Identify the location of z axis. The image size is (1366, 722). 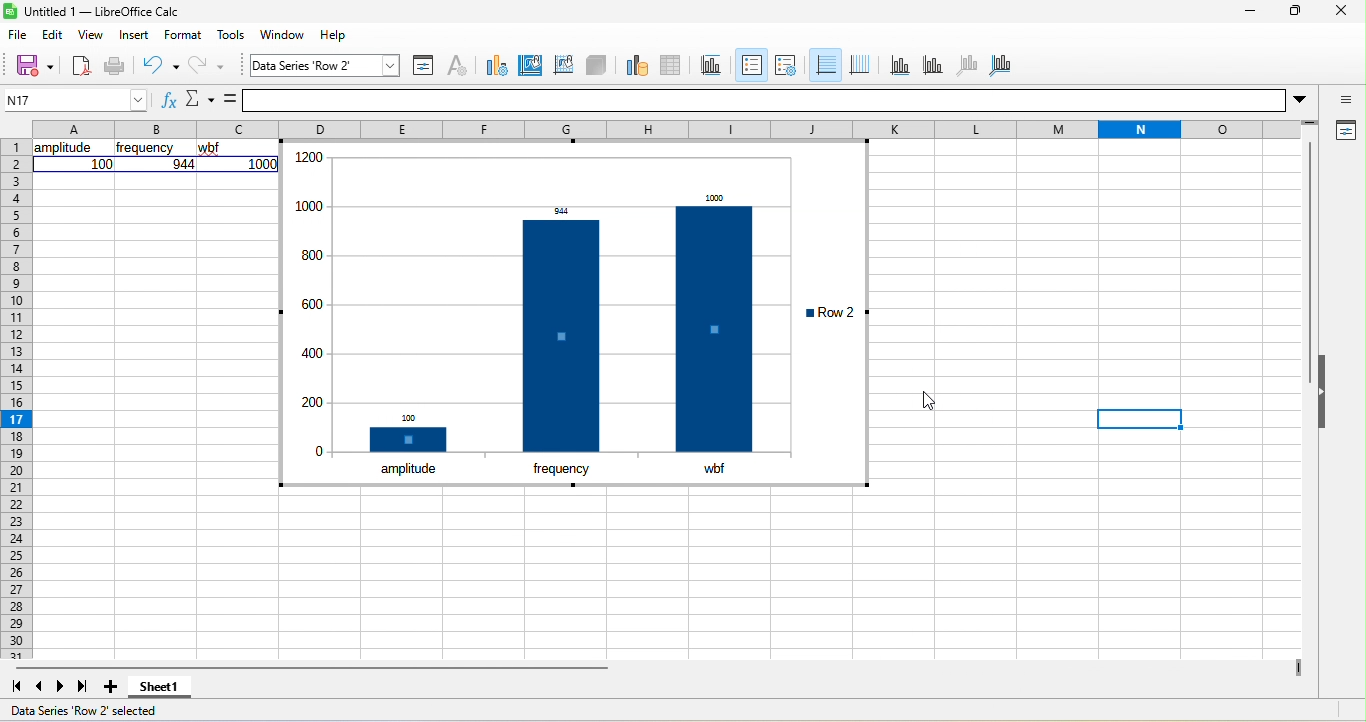
(974, 66).